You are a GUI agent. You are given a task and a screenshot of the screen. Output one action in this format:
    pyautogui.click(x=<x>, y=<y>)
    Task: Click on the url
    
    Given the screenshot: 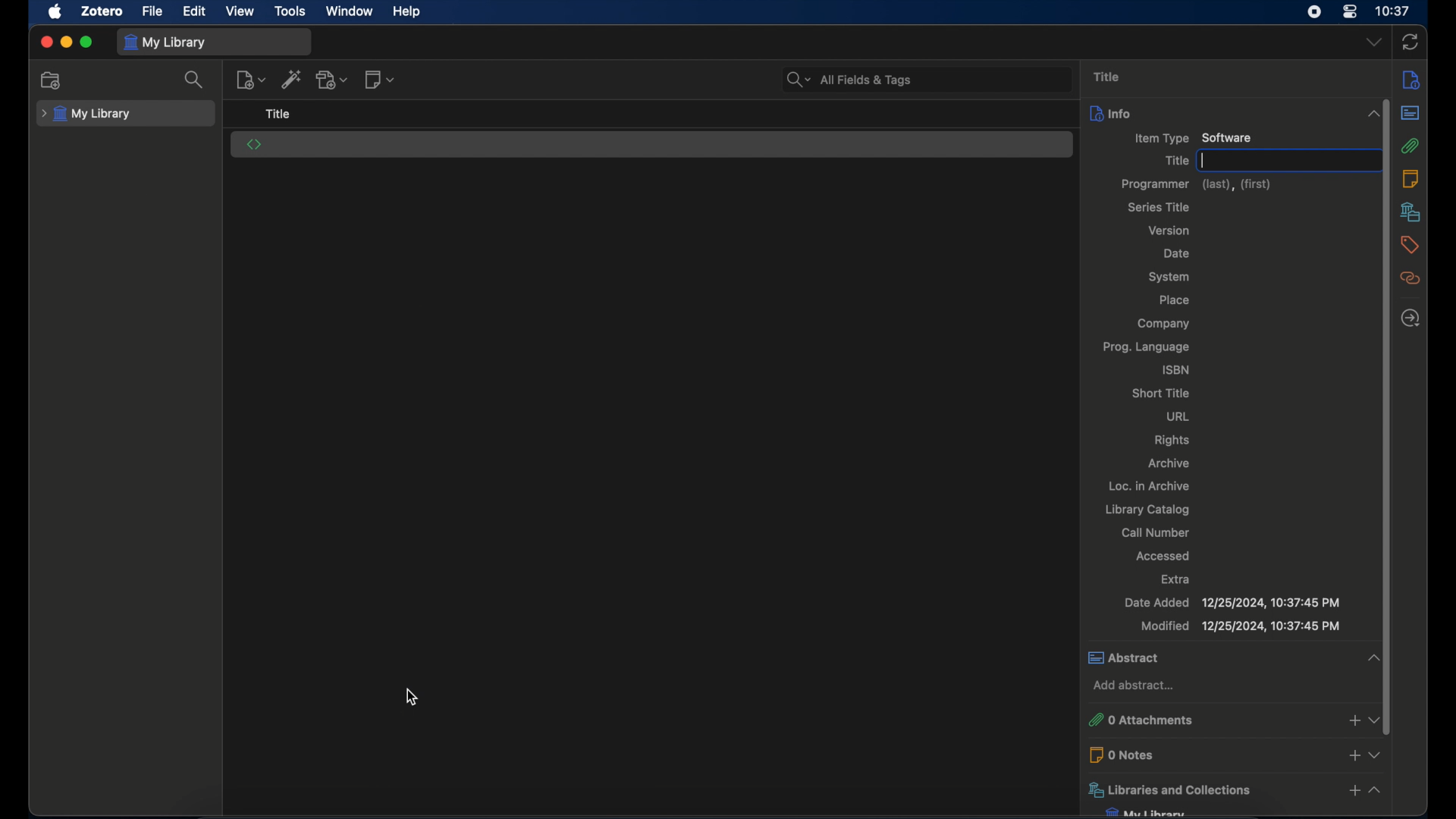 What is the action you would take?
    pyautogui.click(x=1178, y=416)
    